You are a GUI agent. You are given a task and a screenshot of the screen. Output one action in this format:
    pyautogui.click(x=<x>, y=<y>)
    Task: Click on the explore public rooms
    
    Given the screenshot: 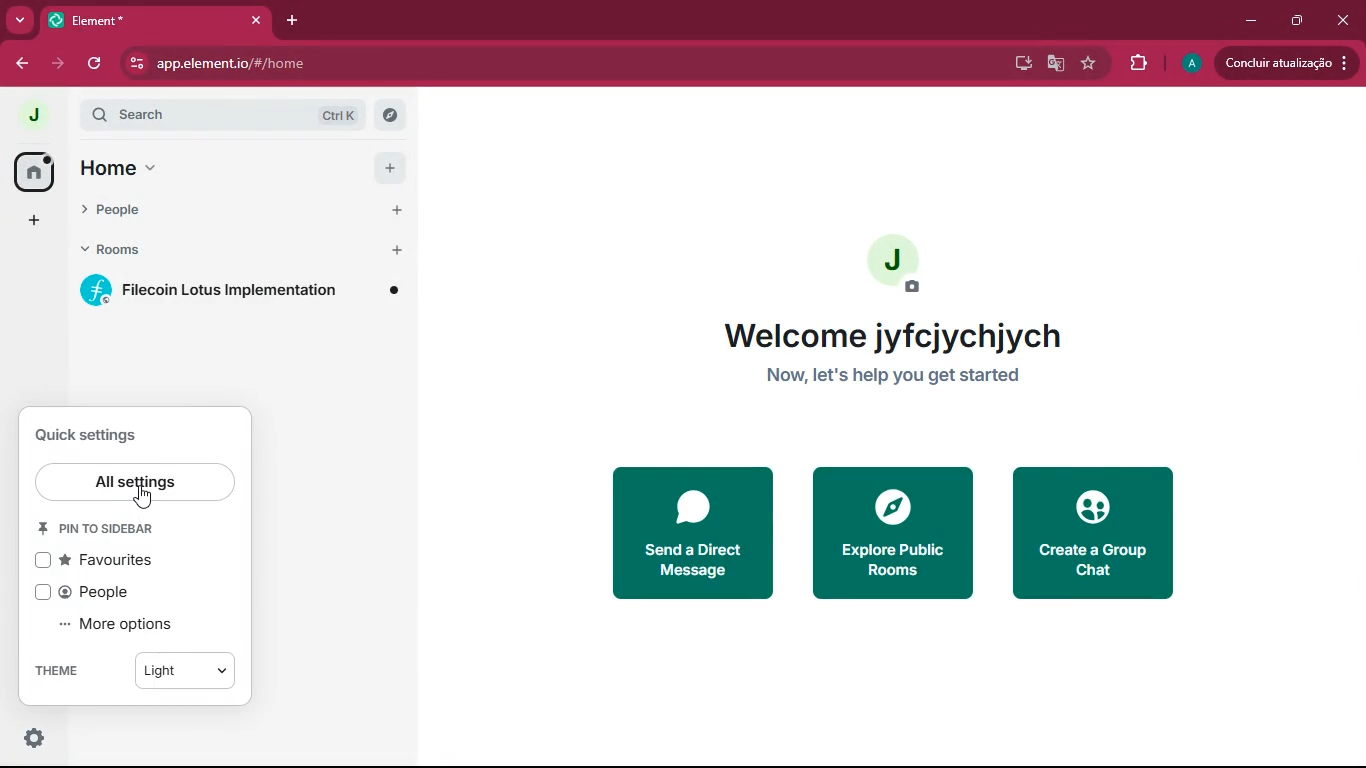 What is the action you would take?
    pyautogui.click(x=900, y=542)
    